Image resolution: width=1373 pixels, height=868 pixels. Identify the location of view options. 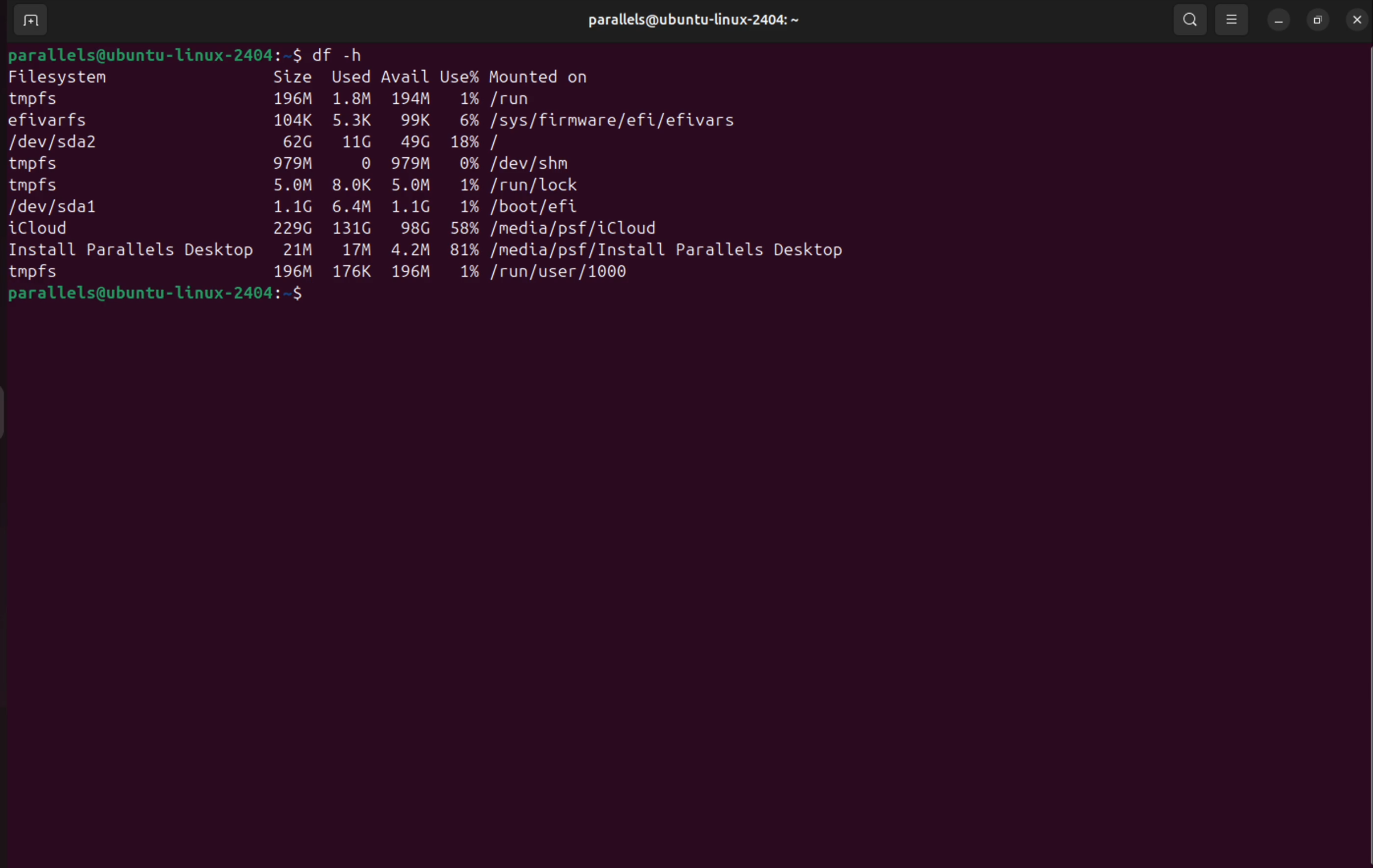
(1233, 19).